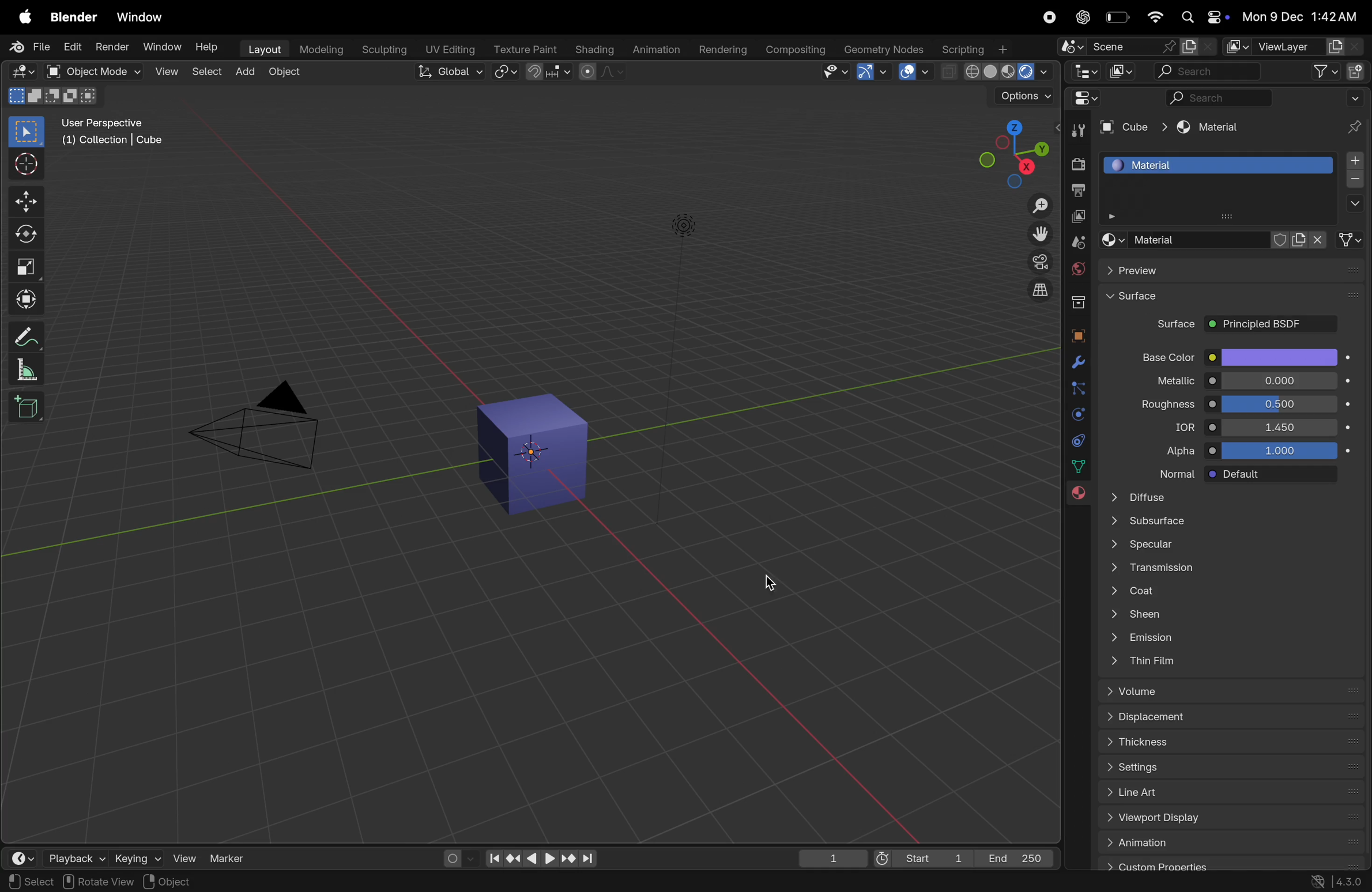 The height and width of the screenshot is (892, 1372). Describe the element at coordinates (1041, 290) in the screenshot. I see `orthographic projection` at that location.